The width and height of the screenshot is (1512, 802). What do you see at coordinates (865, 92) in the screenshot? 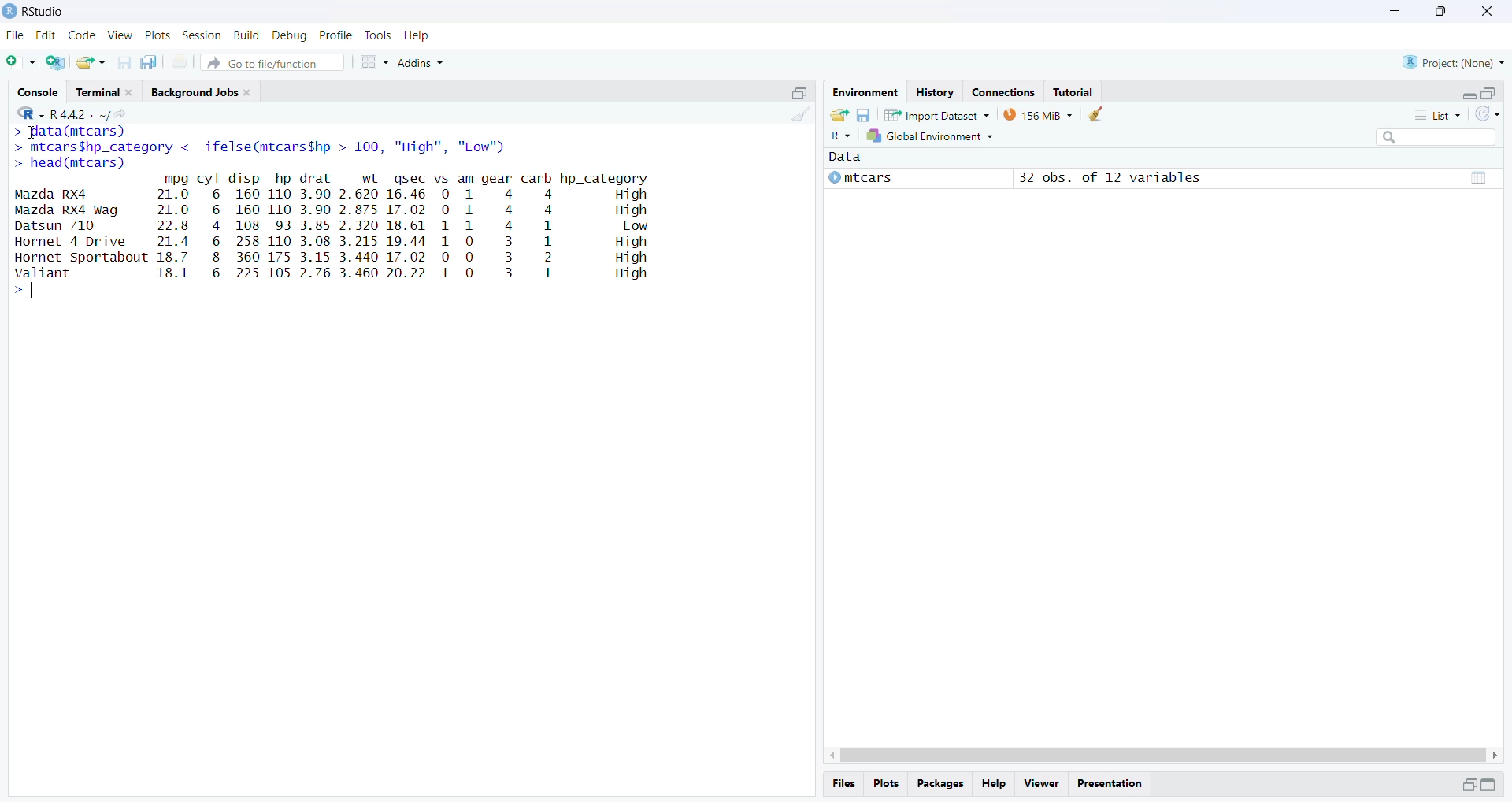
I see `Environment` at bounding box center [865, 92].